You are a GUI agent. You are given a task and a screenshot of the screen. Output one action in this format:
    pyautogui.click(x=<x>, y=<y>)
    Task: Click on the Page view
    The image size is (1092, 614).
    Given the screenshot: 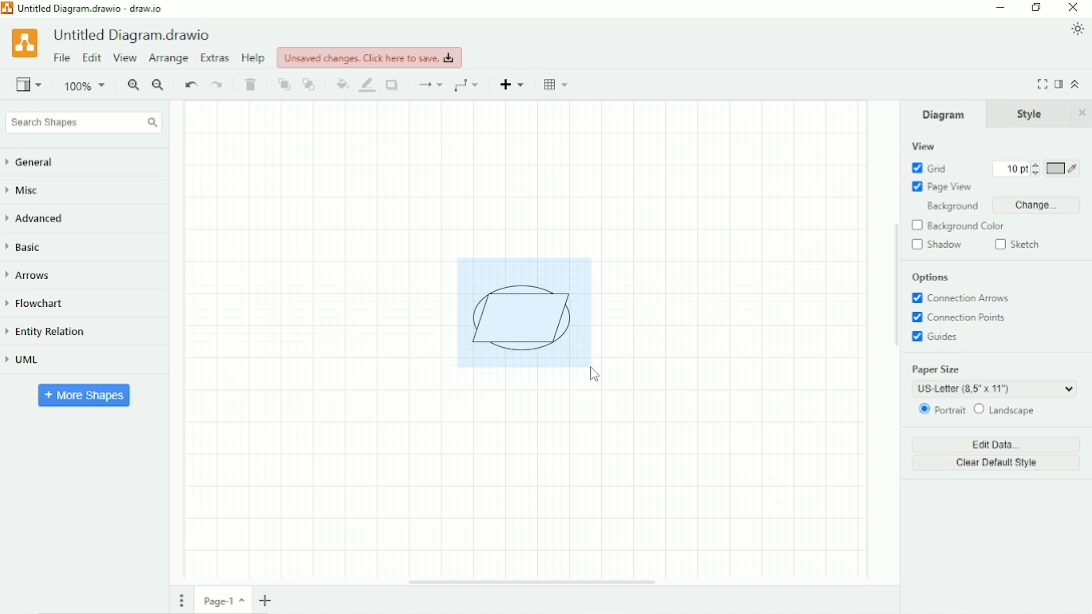 What is the action you would take?
    pyautogui.click(x=942, y=187)
    